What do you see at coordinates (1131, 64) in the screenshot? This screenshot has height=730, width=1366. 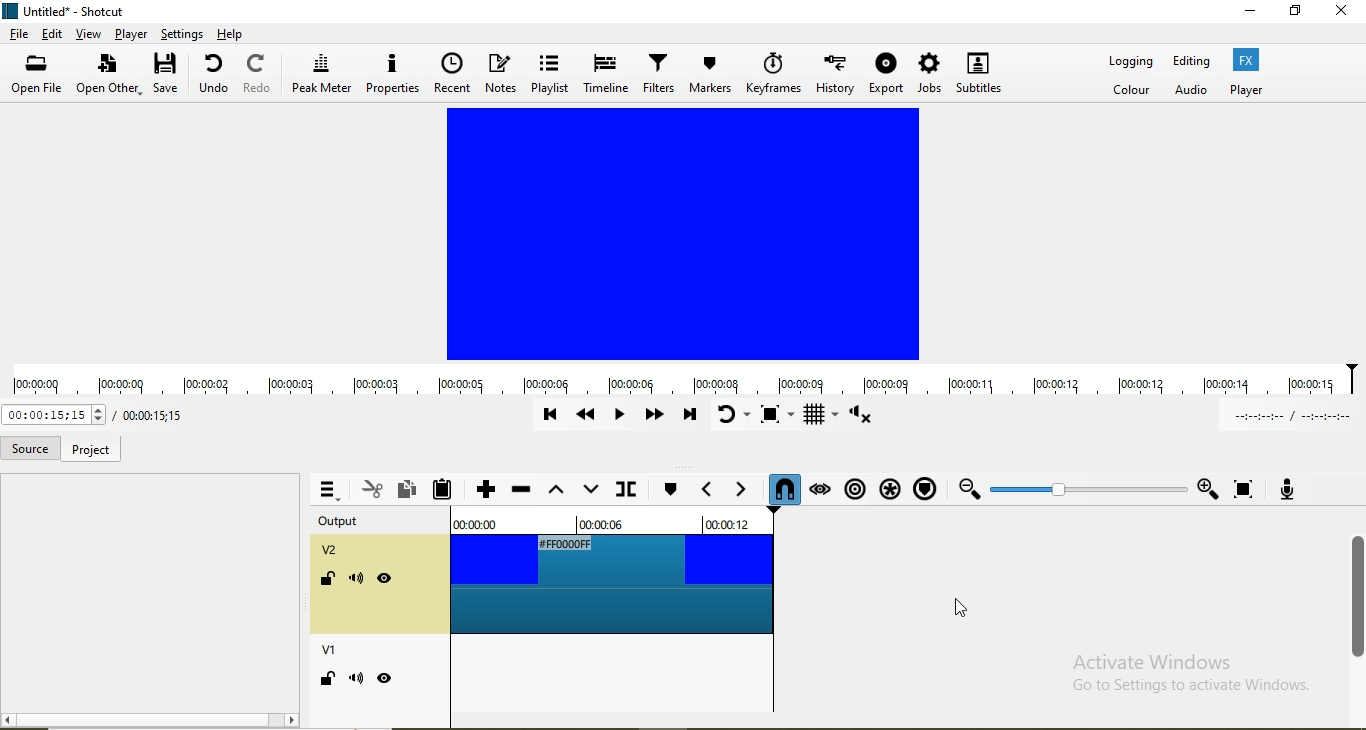 I see `Logging` at bounding box center [1131, 64].